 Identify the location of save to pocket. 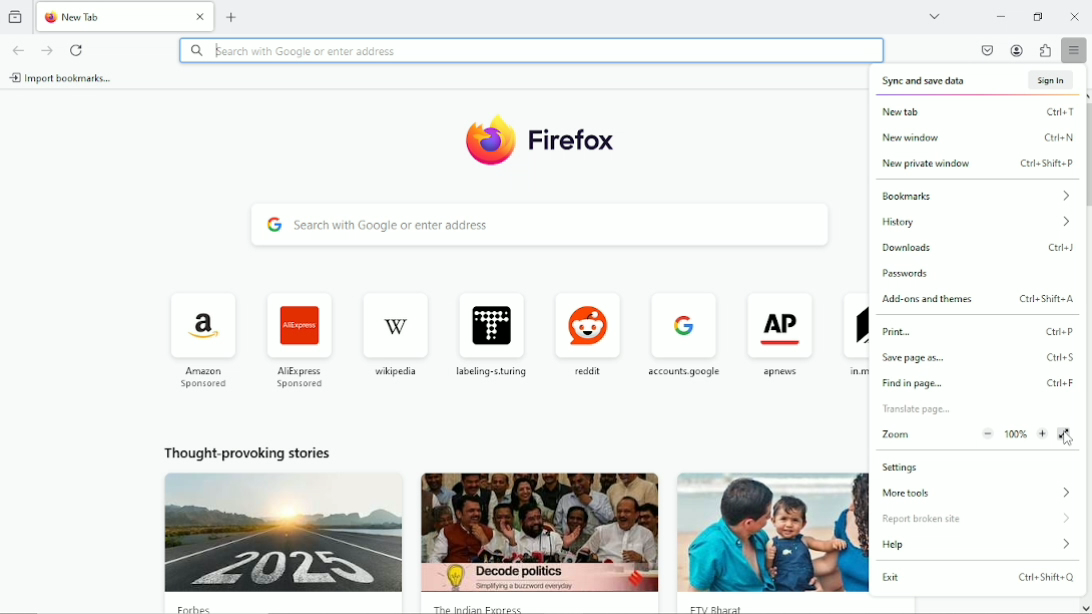
(984, 50).